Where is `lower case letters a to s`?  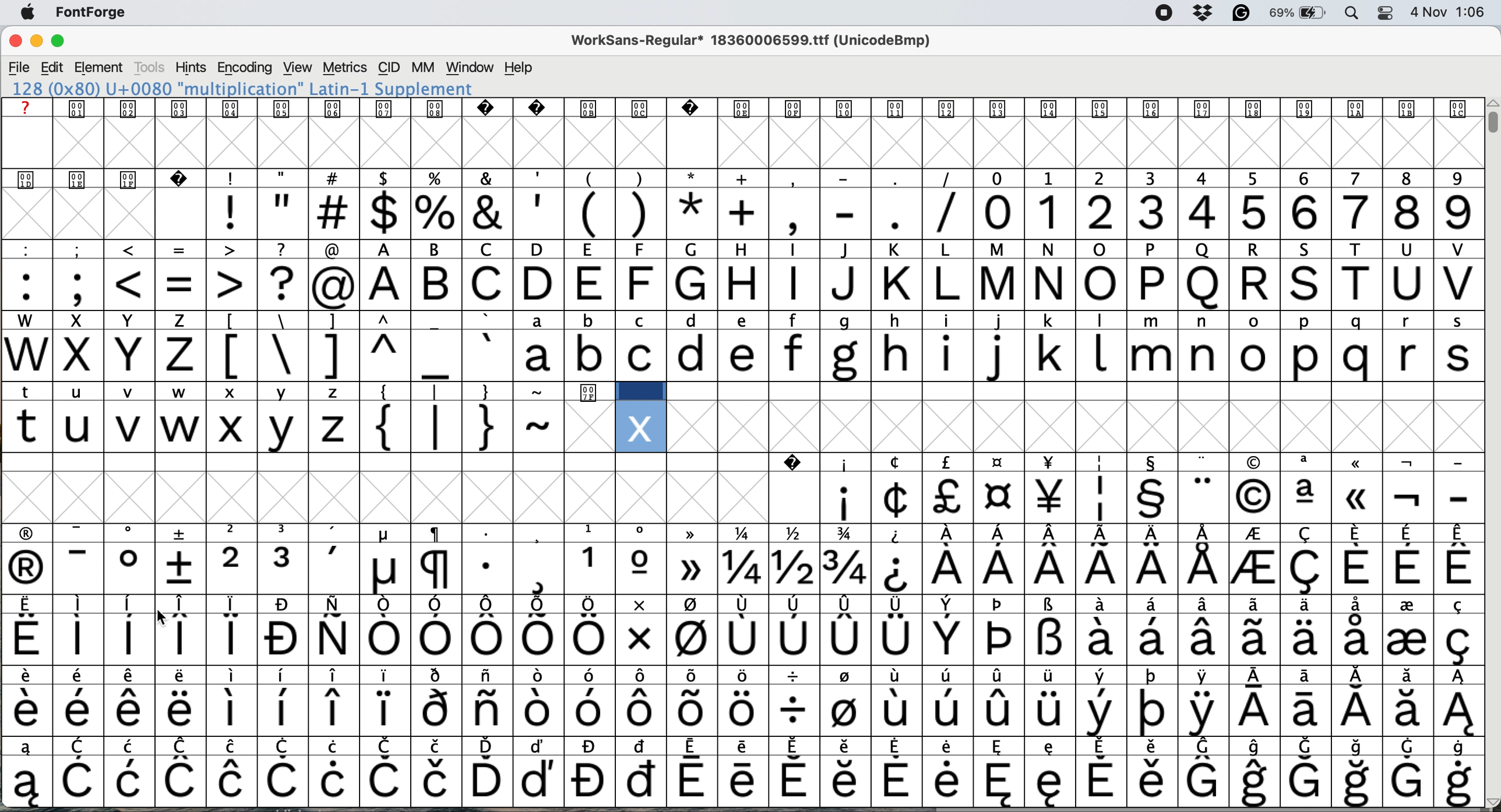
lower case letters a to s is located at coordinates (993, 355).